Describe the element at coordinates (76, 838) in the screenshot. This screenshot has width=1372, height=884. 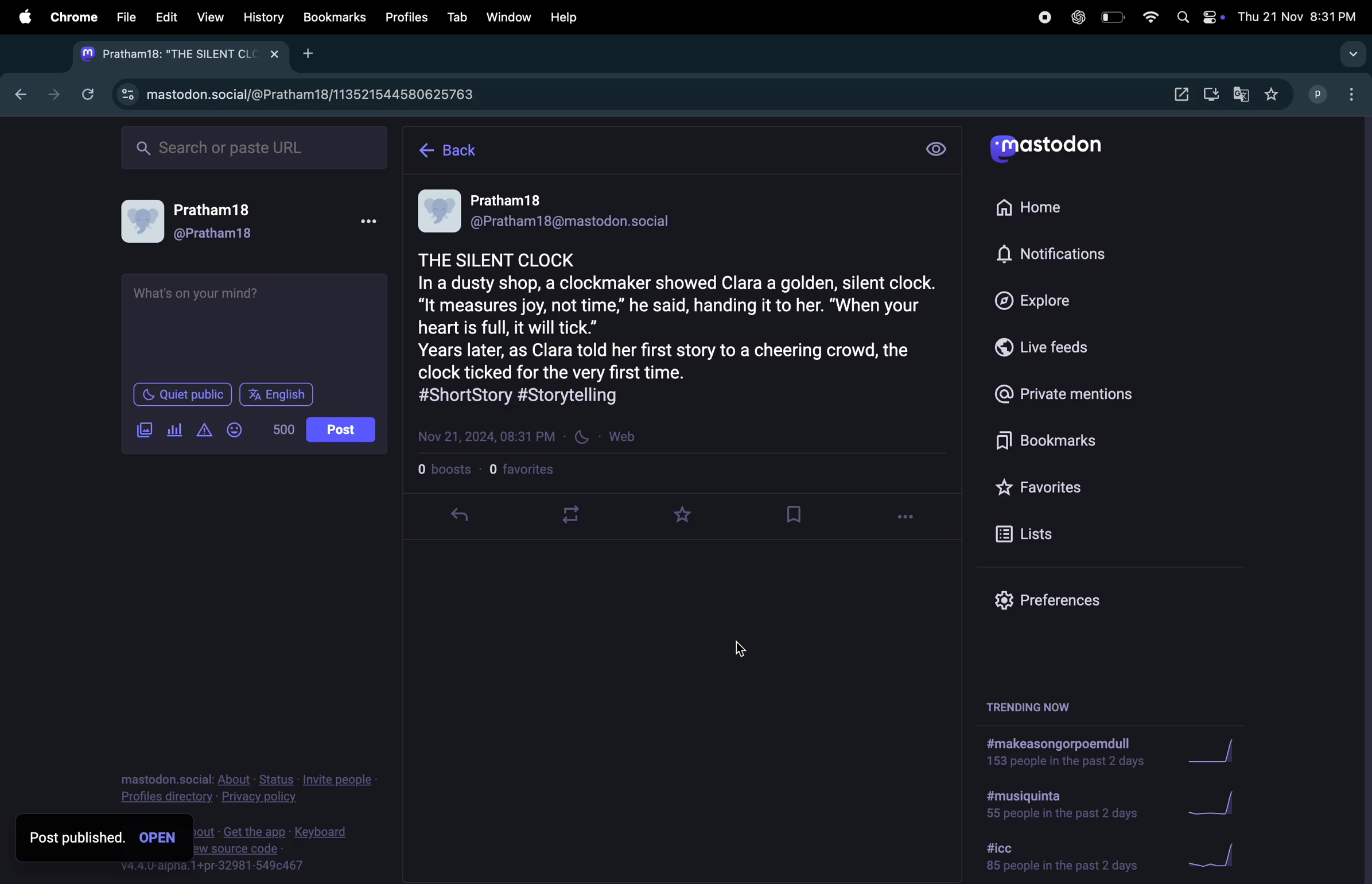
I see `post published` at that location.